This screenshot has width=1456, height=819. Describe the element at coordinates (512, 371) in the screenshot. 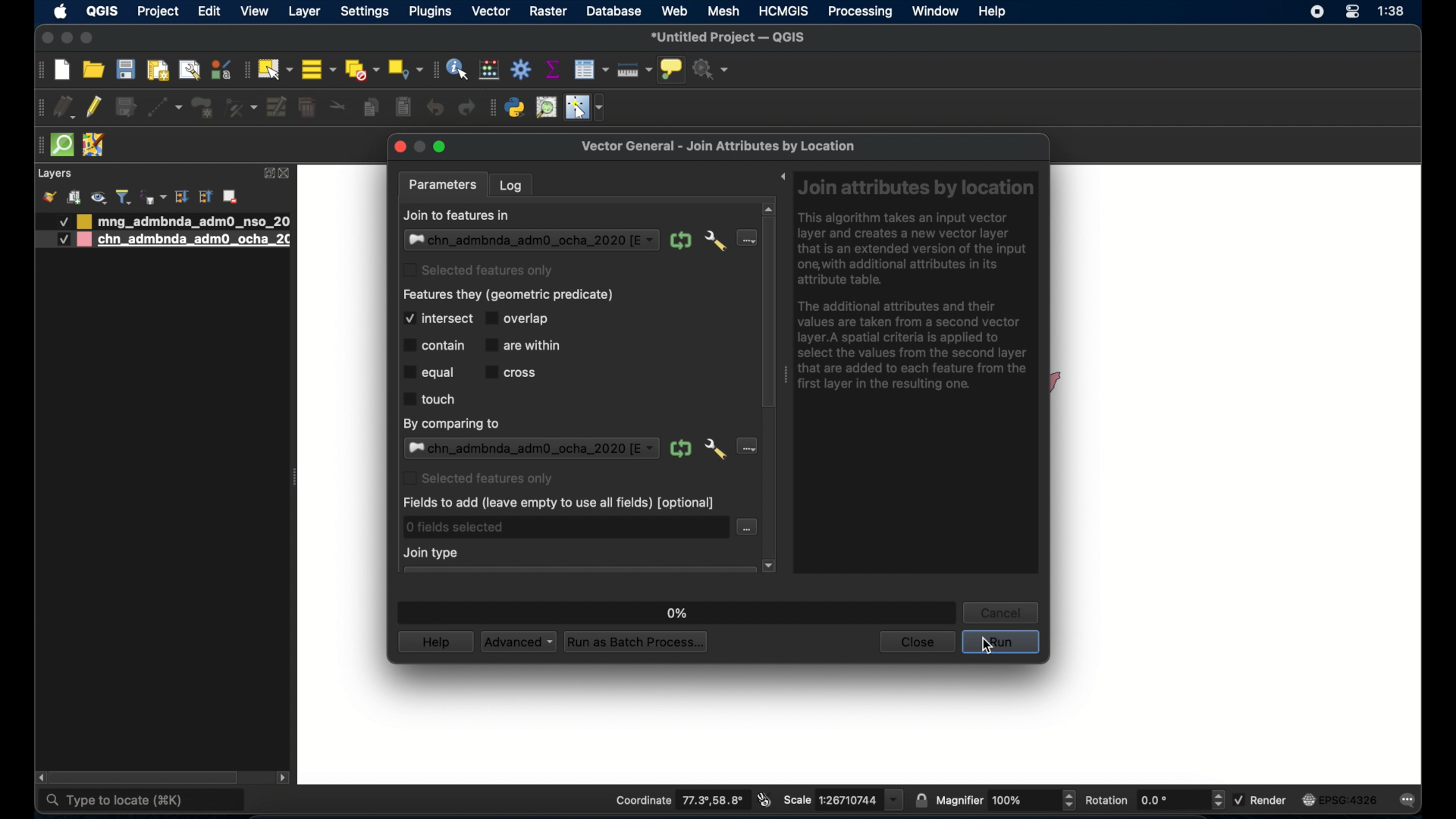

I see `cross` at that location.